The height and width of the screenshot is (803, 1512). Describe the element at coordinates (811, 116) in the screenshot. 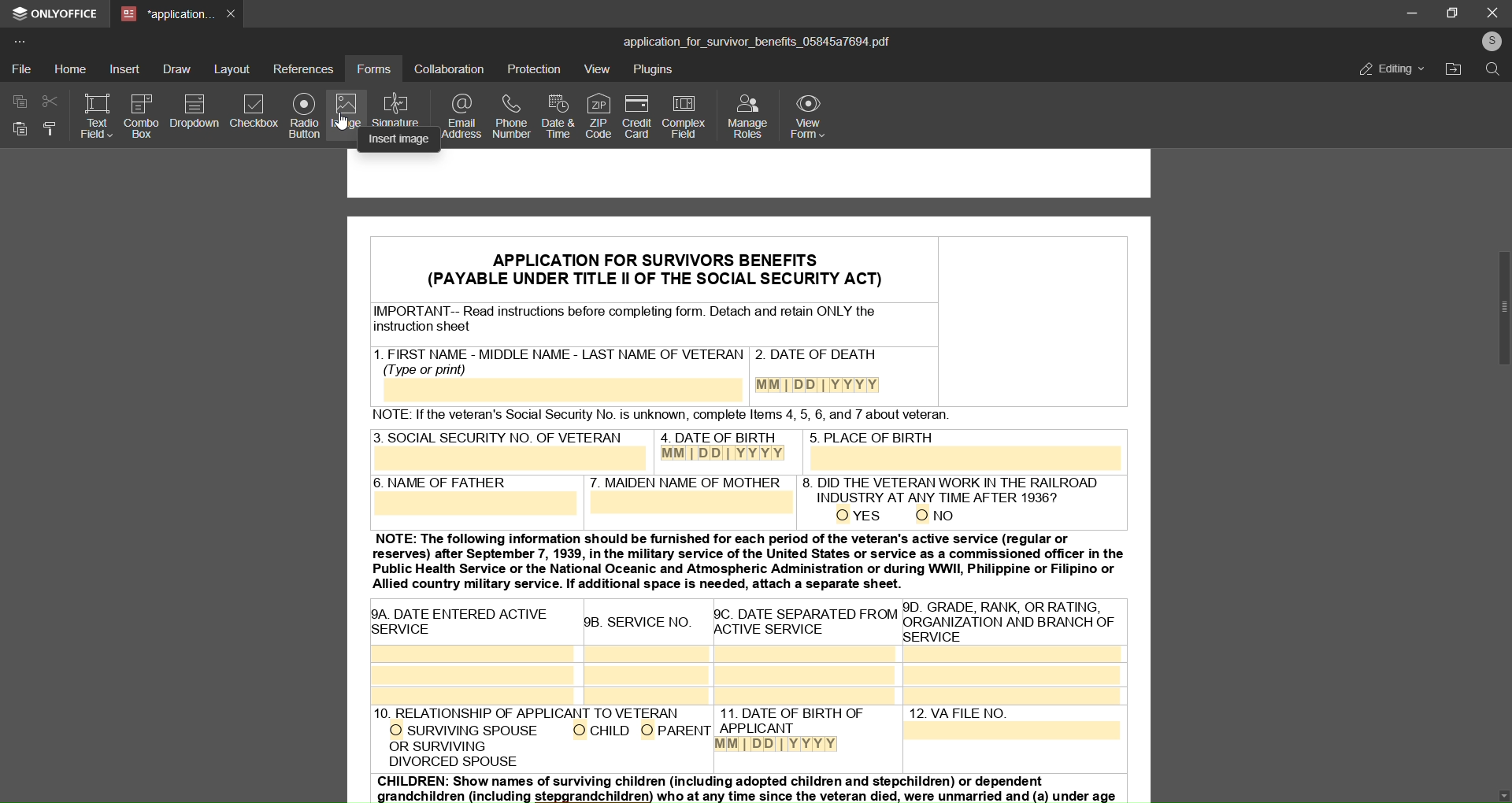

I see `view form` at that location.